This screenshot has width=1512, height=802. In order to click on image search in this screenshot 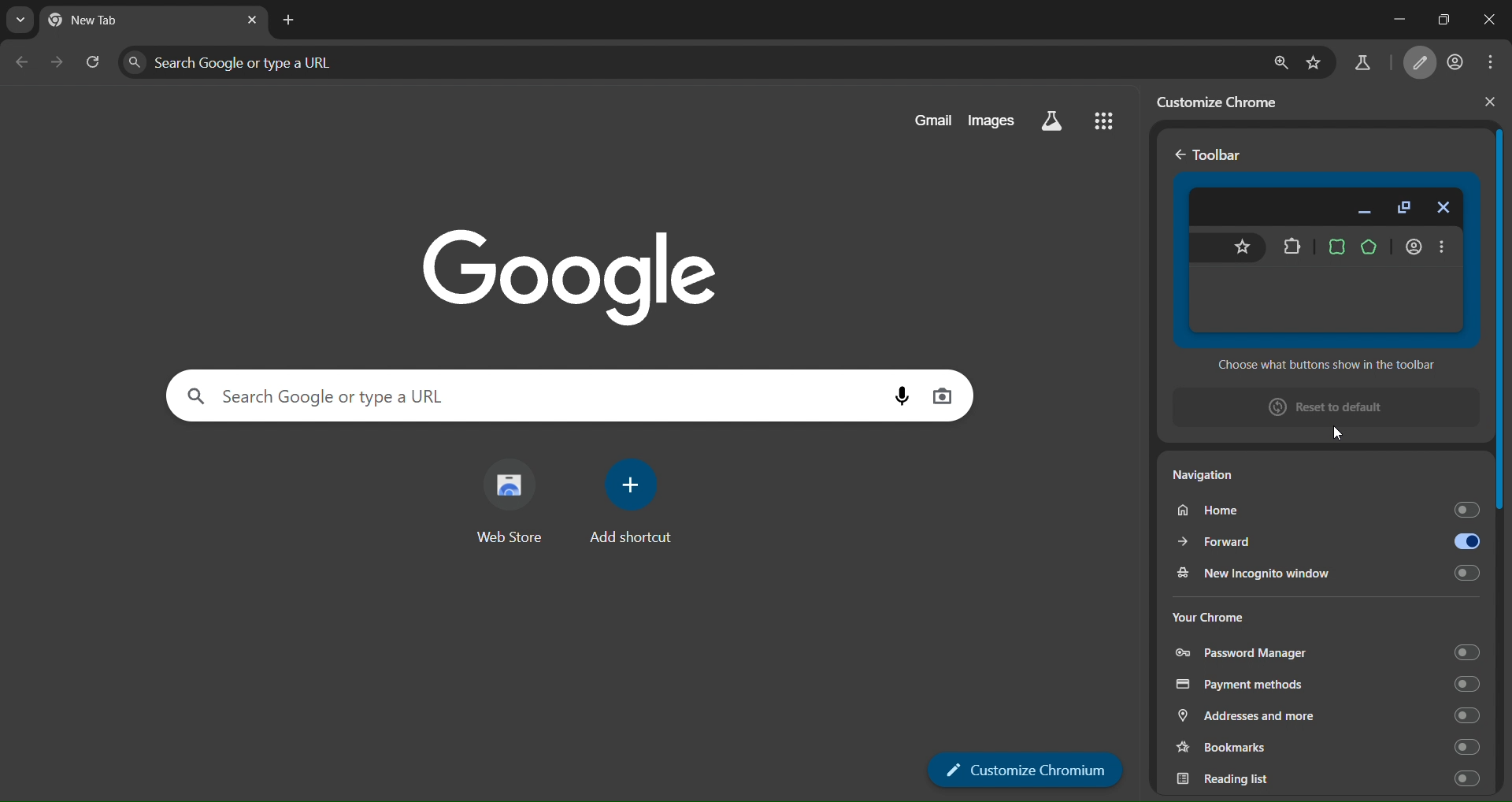, I will do `click(946, 395)`.